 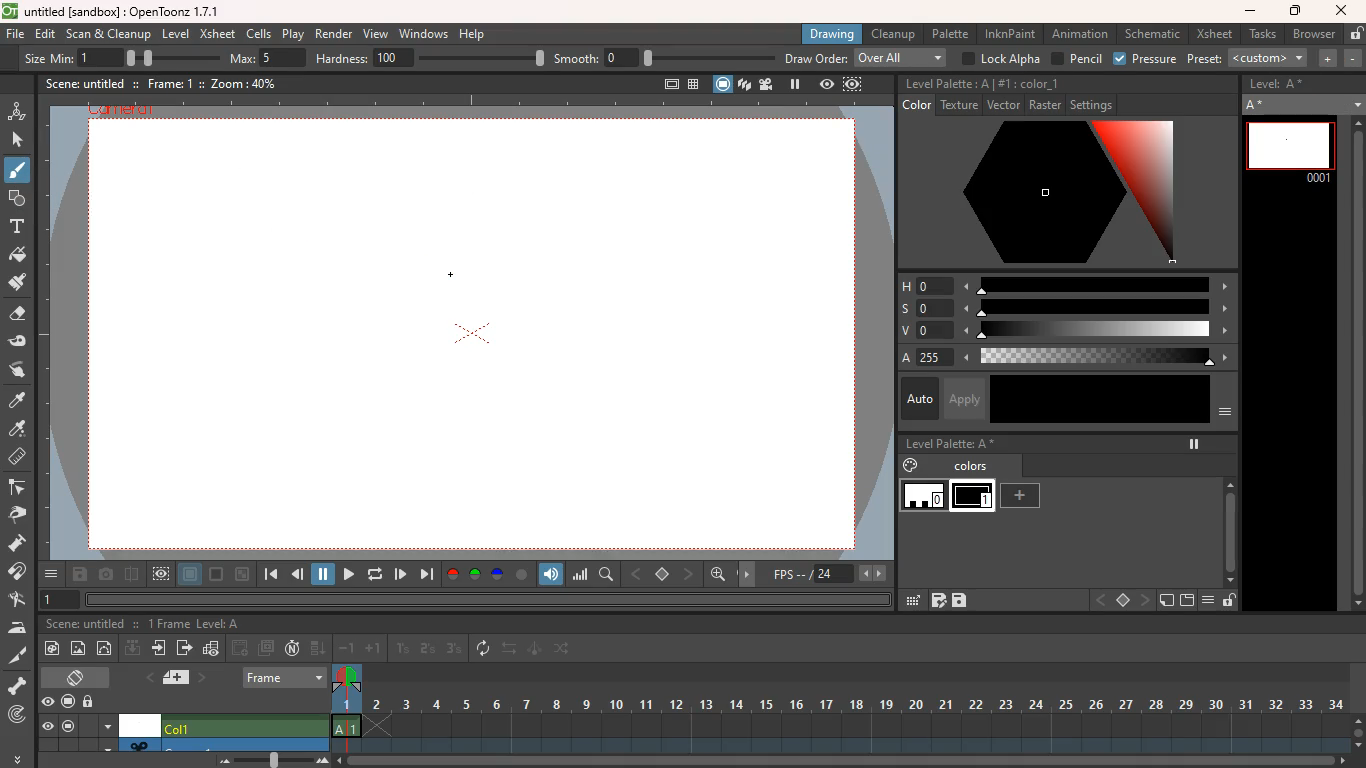 I want to click on preset:, so click(x=1249, y=58).